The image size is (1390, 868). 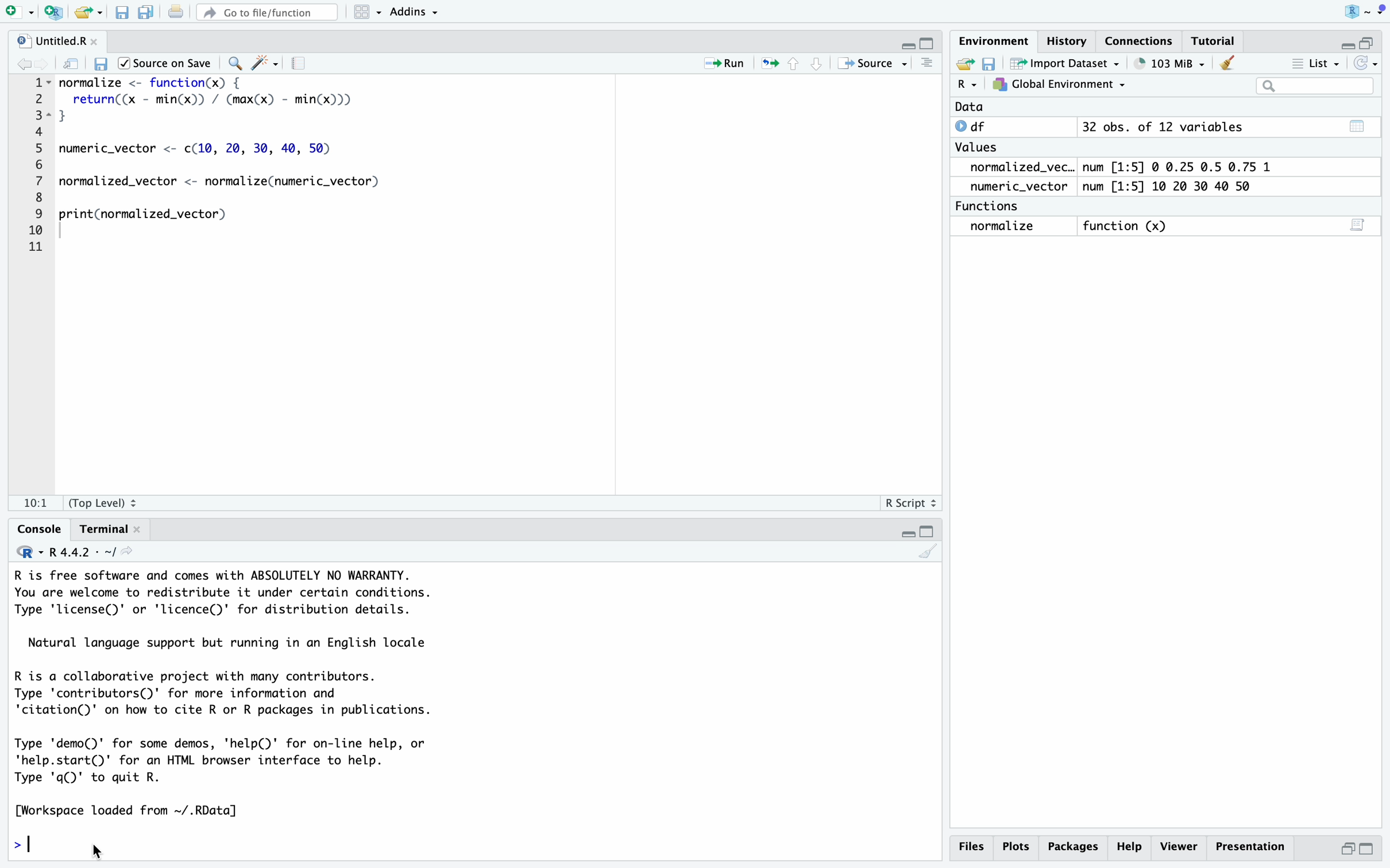 I want to click on Workspace panes, so click(x=366, y=14).